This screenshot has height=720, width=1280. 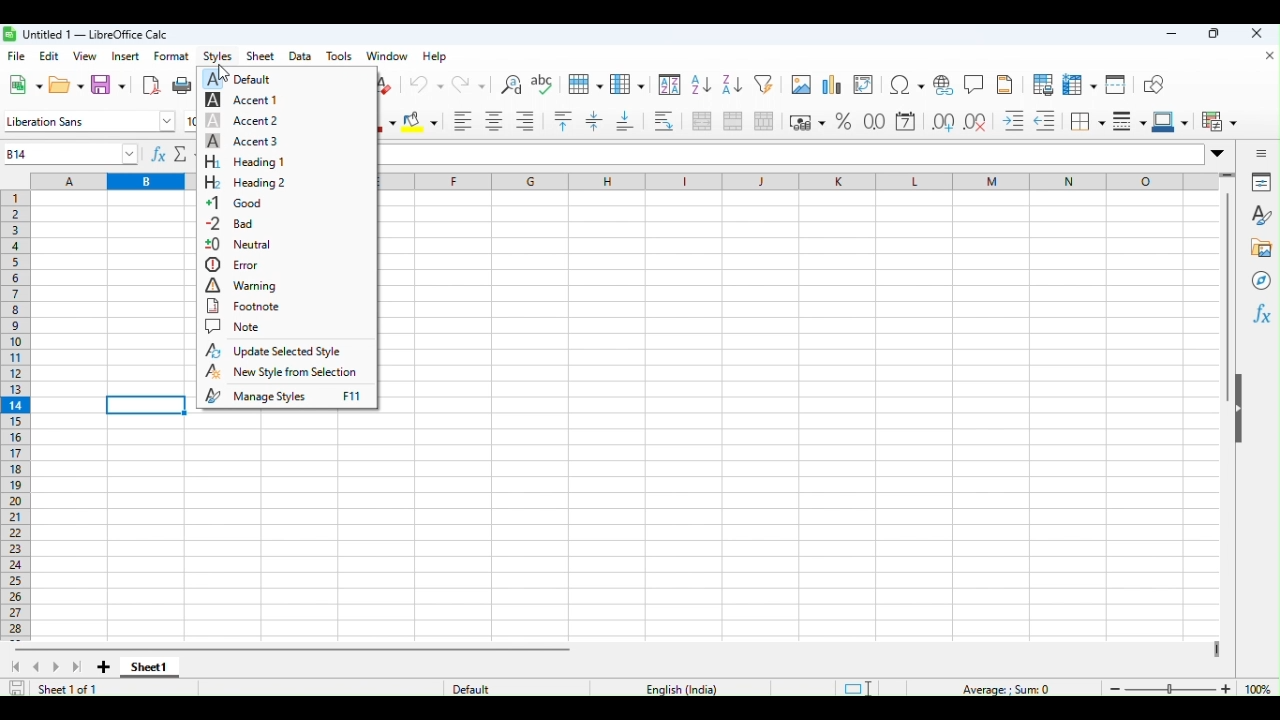 I want to click on Split window, so click(x=1113, y=85).